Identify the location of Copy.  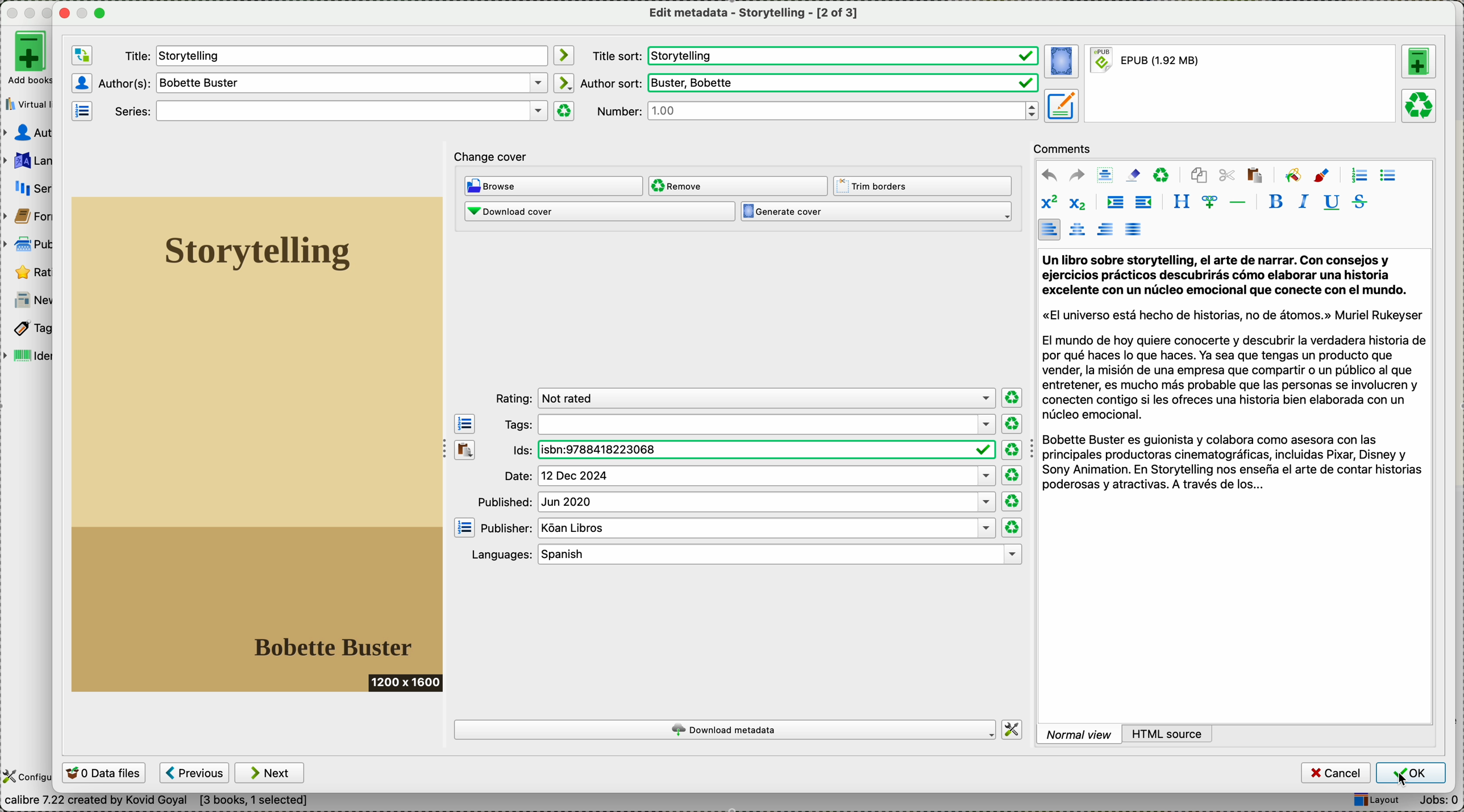
(464, 477).